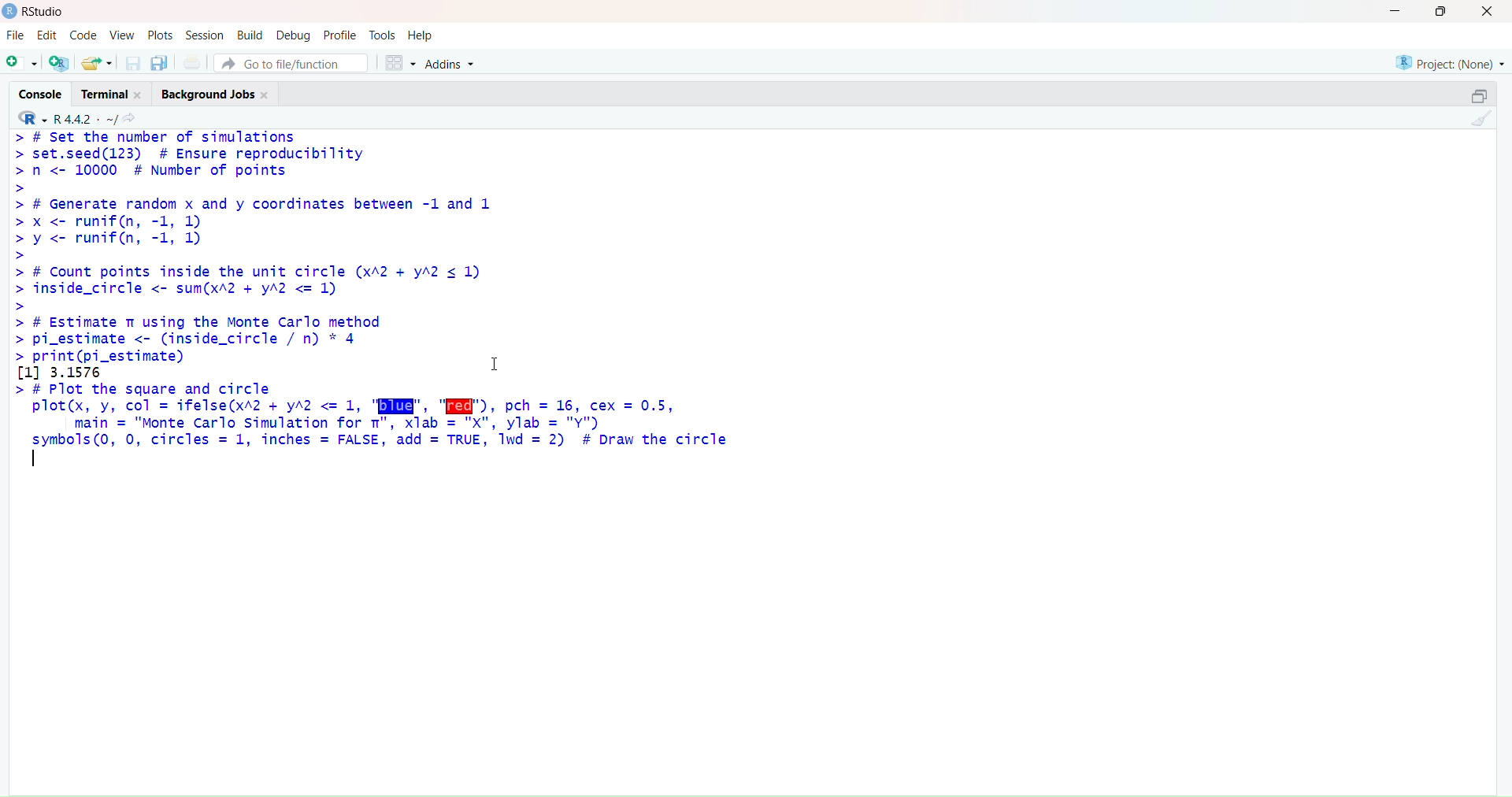 The width and height of the screenshot is (1512, 797). What do you see at coordinates (48, 35) in the screenshot?
I see `Edit` at bounding box center [48, 35].